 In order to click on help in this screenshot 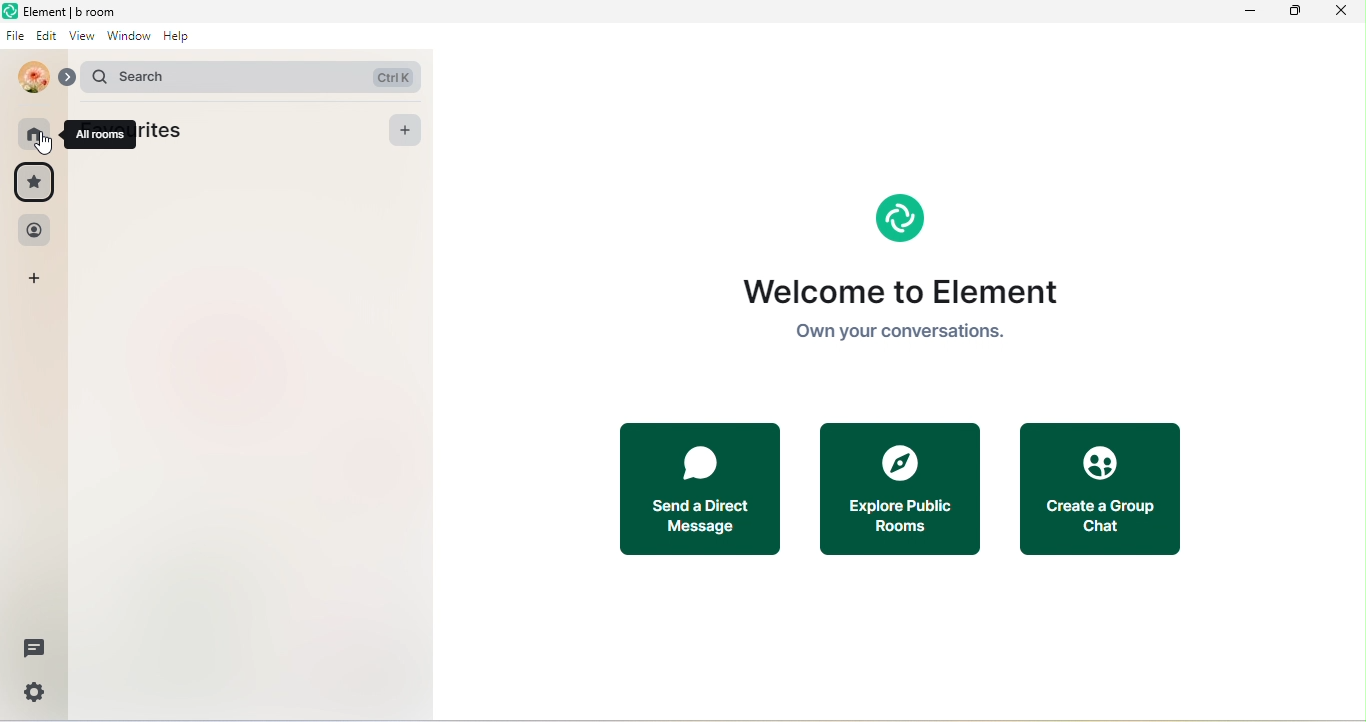, I will do `click(183, 42)`.